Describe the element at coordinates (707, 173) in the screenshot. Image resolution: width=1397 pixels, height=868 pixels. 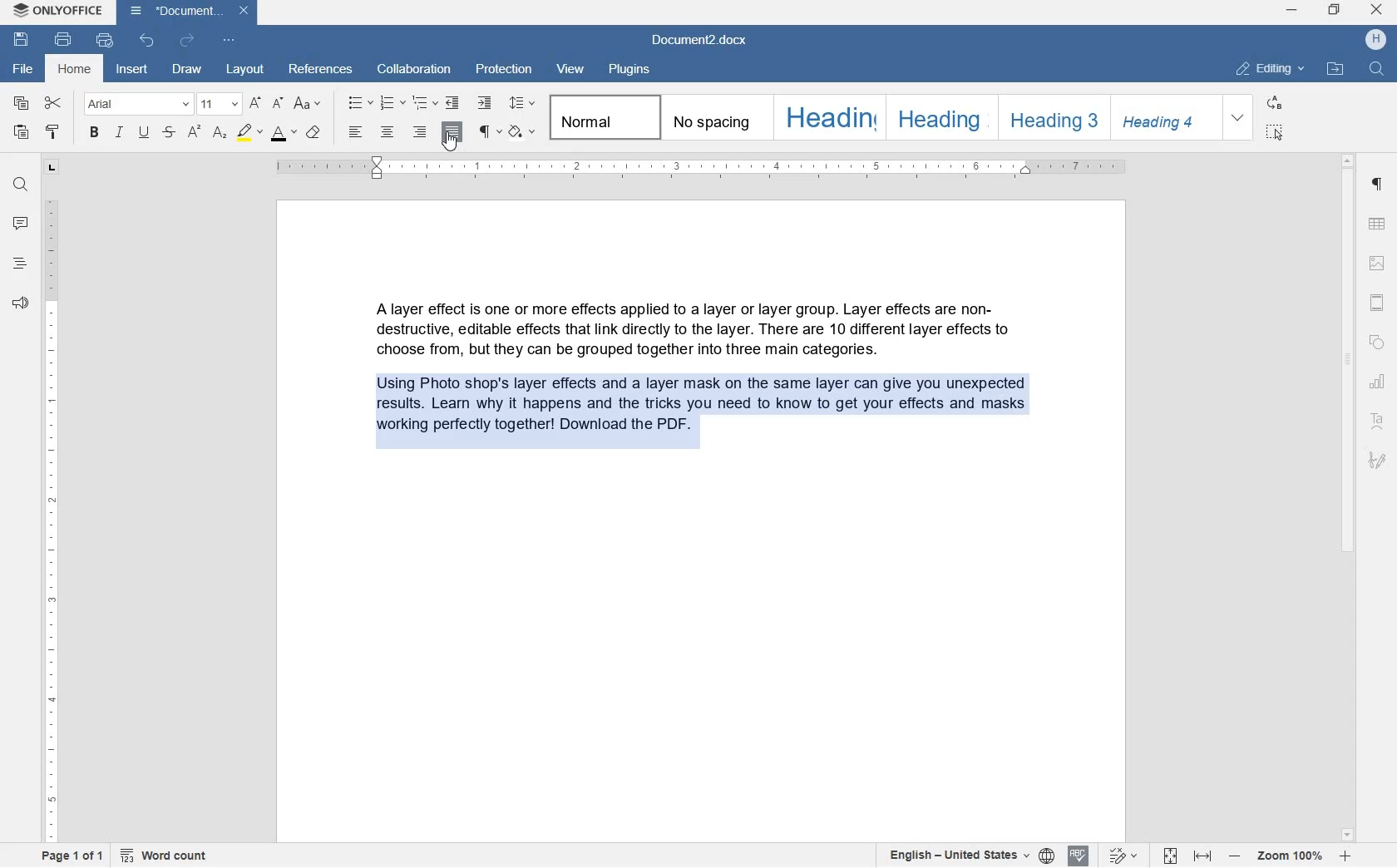
I see `RULER` at that location.